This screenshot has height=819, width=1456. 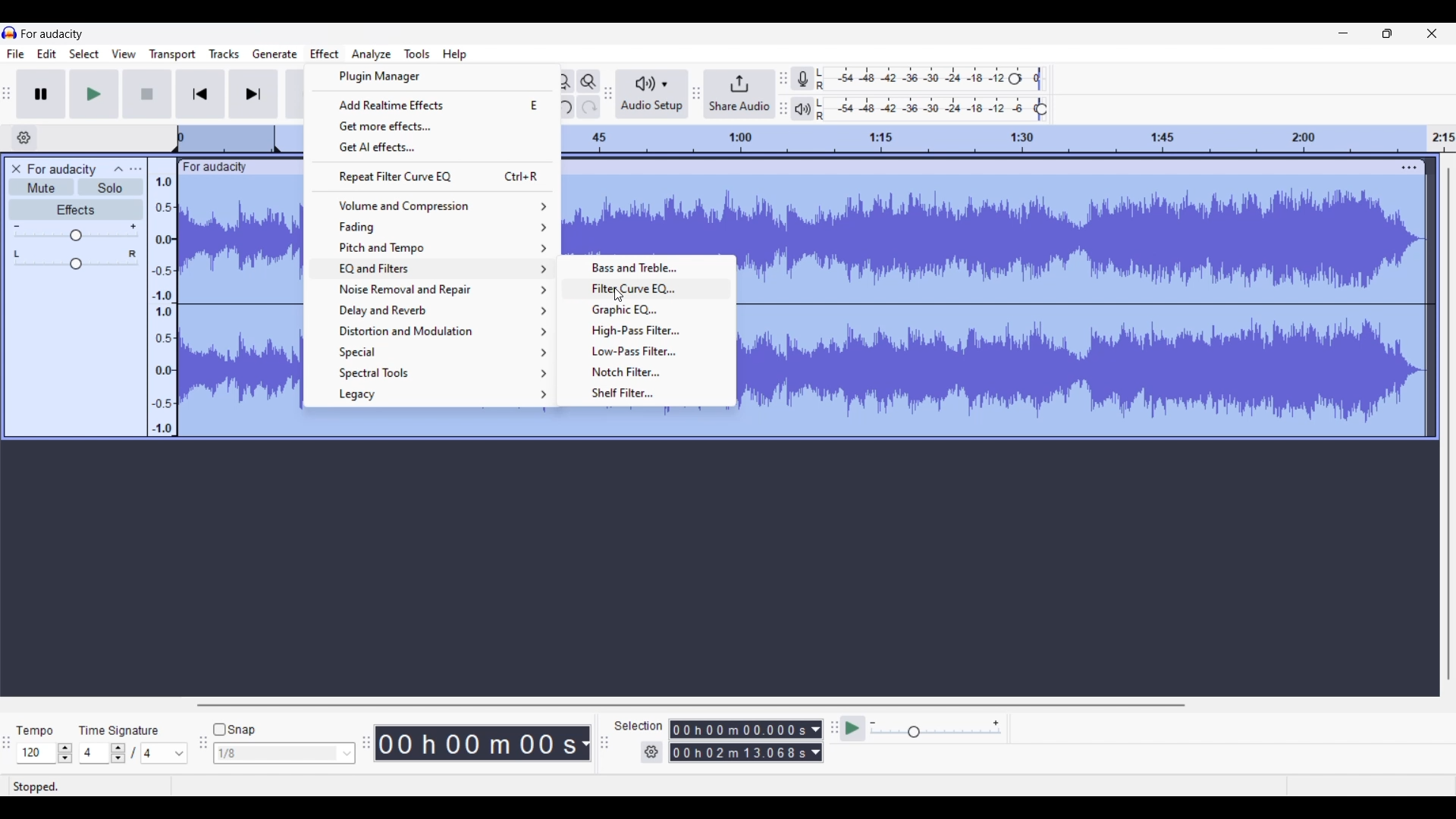 What do you see at coordinates (433, 125) in the screenshot?
I see `Get more effects` at bounding box center [433, 125].